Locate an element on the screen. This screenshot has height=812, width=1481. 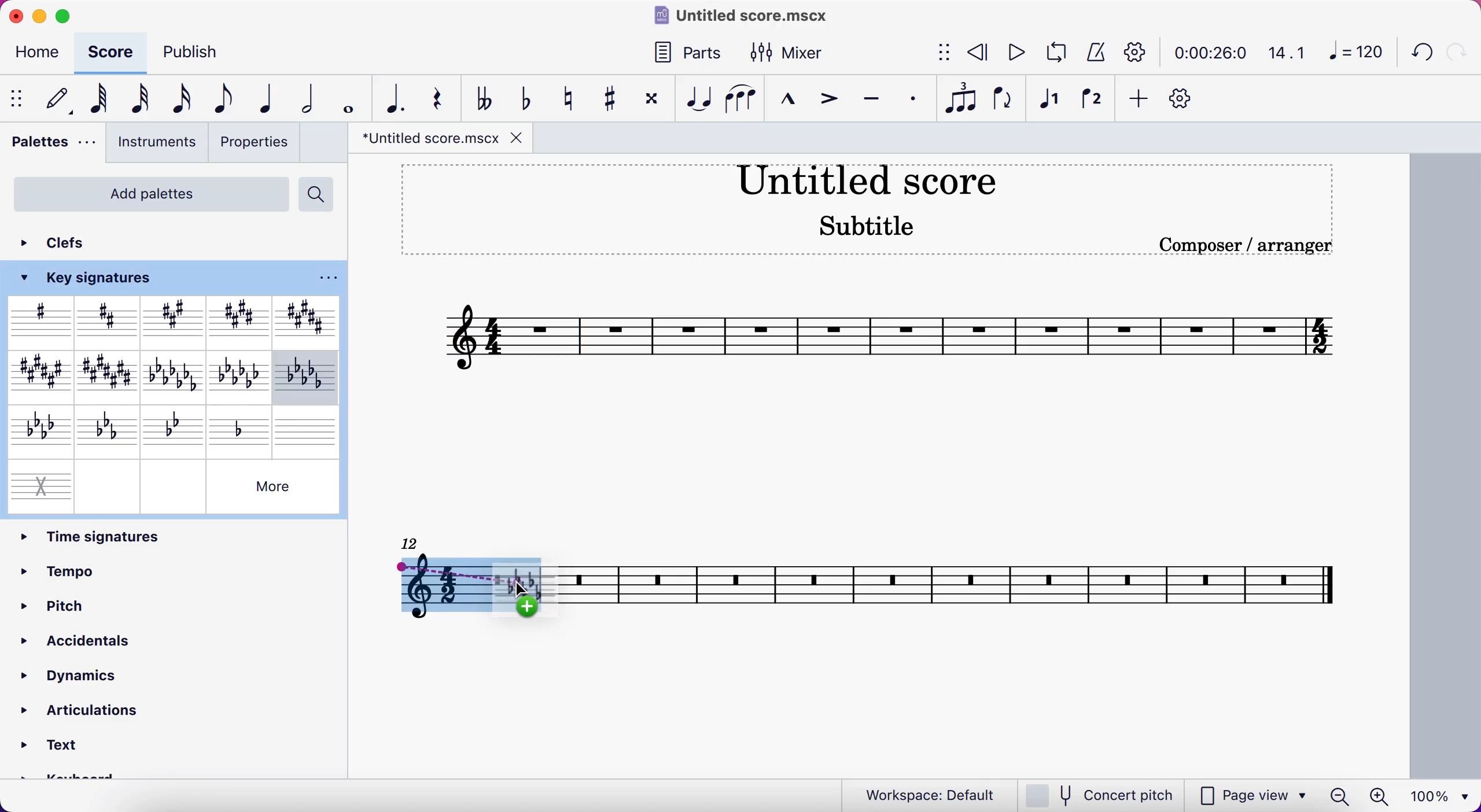
title score is located at coordinates (867, 182).